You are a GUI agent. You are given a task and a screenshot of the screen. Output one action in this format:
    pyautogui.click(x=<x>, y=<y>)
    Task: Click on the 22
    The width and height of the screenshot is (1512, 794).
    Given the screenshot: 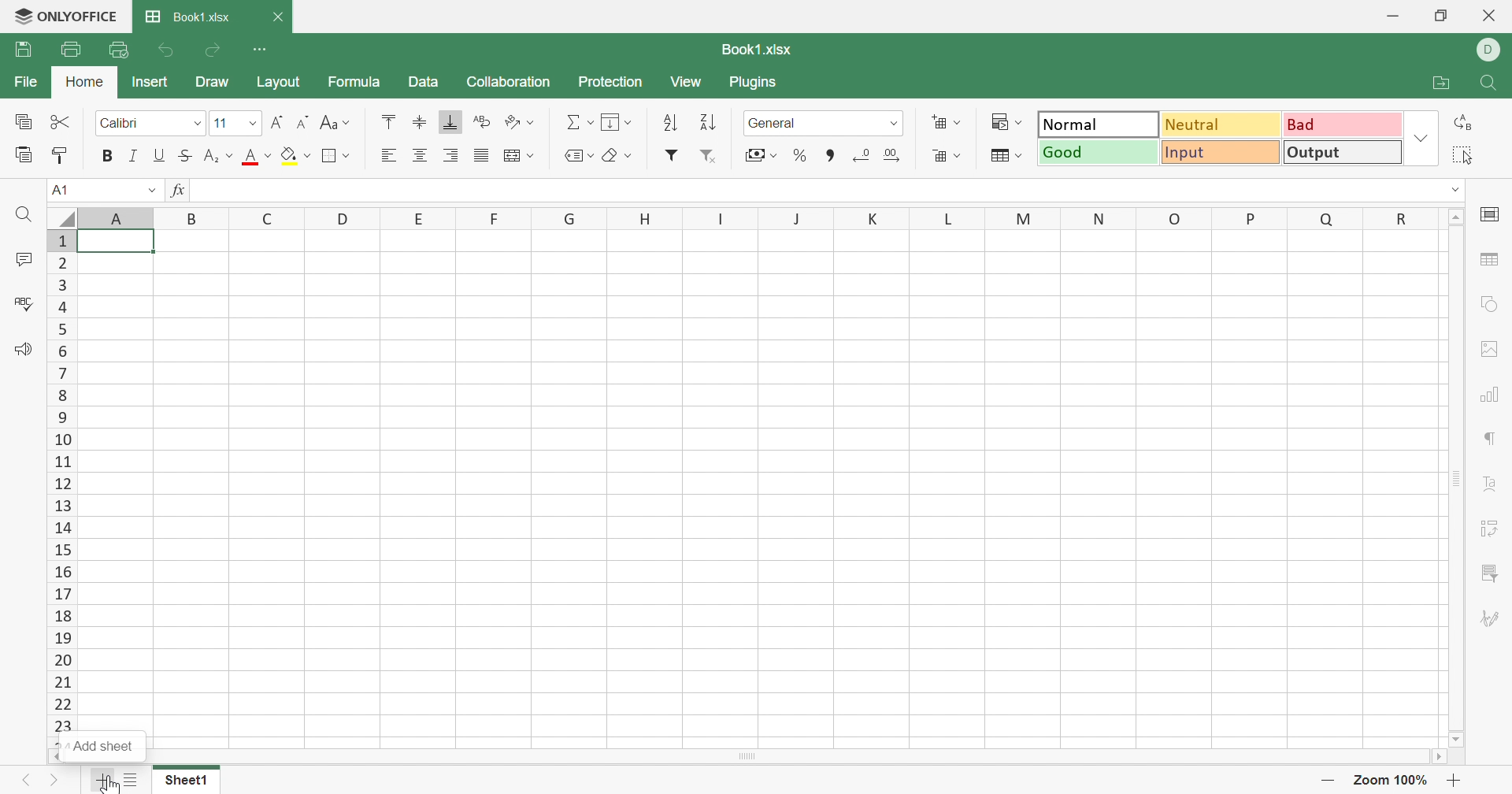 What is the action you would take?
    pyautogui.click(x=61, y=703)
    